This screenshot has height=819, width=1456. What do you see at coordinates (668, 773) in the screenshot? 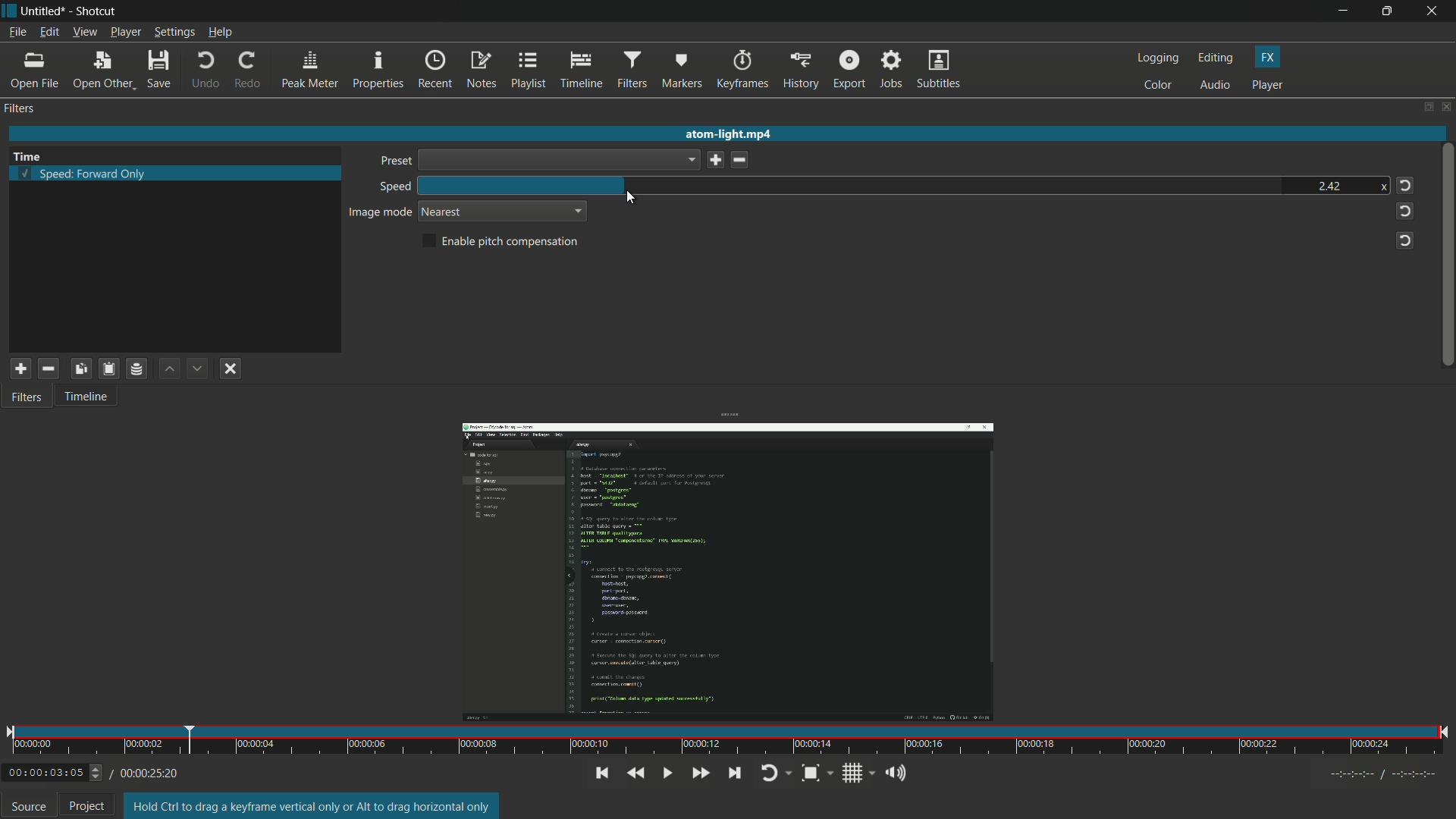
I see `toggle play or pause` at bounding box center [668, 773].